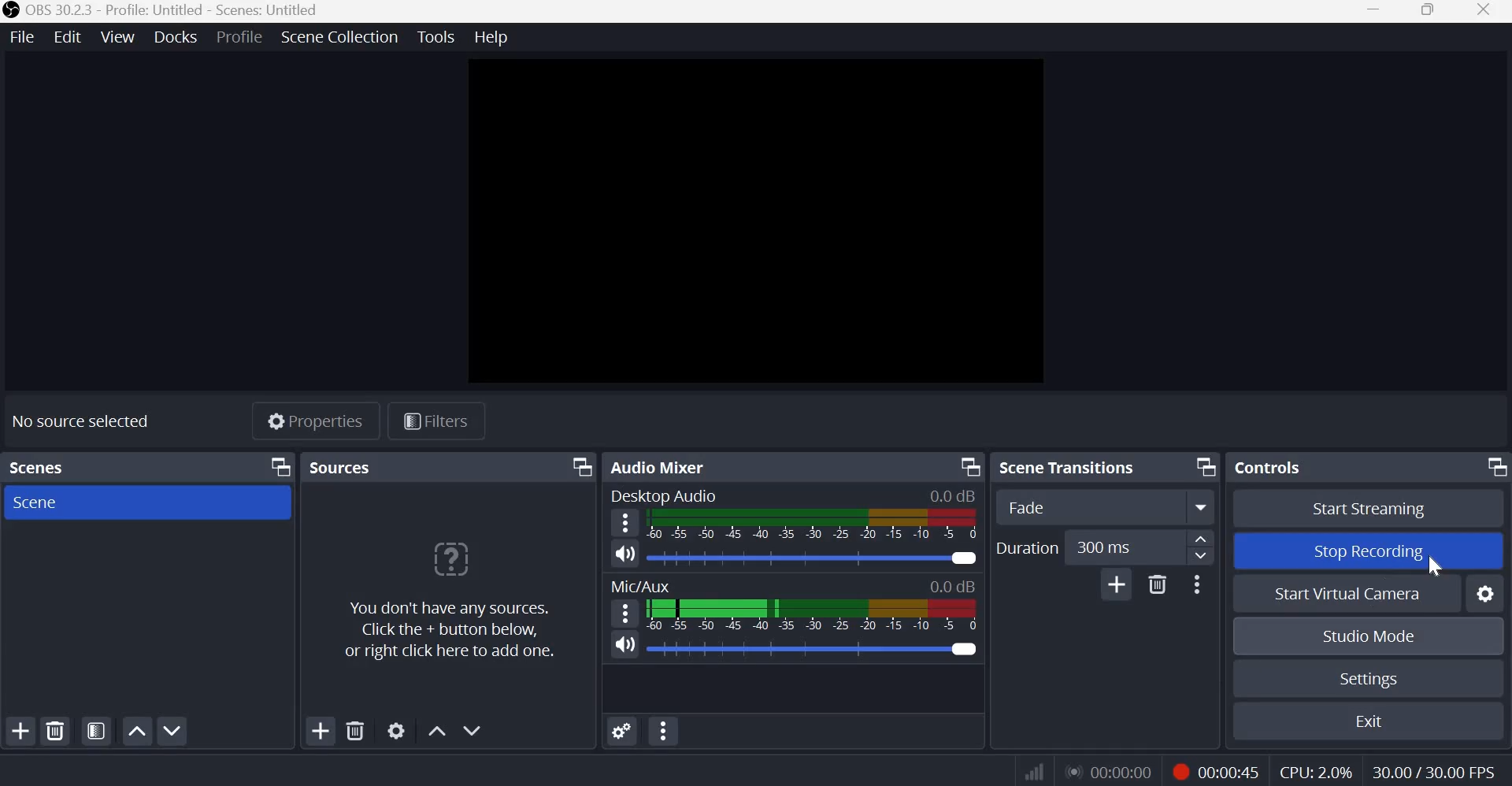 The width and height of the screenshot is (1512, 786). Describe the element at coordinates (319, 730) in the screenshot. I see `Add source(s)` at that location.